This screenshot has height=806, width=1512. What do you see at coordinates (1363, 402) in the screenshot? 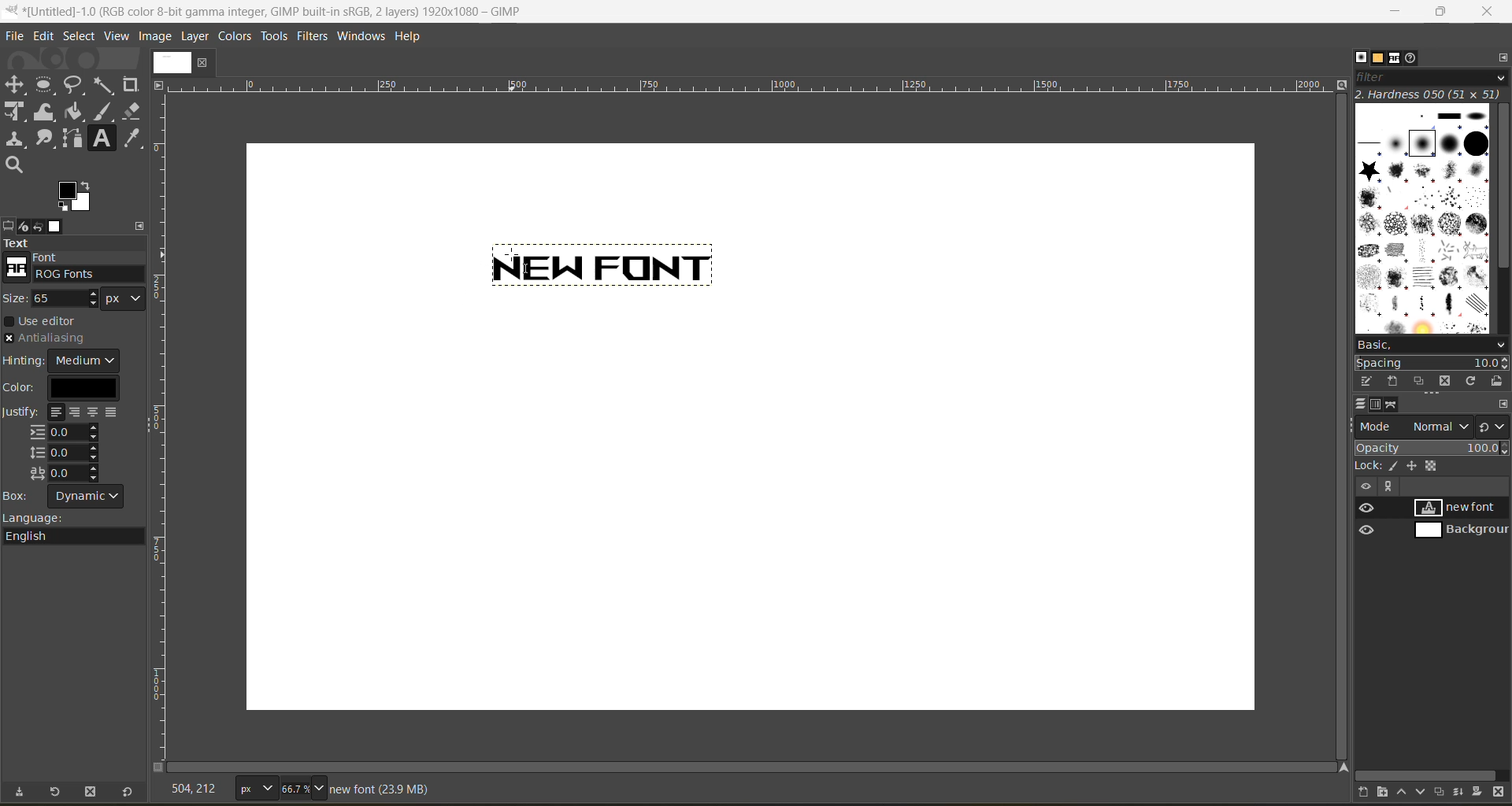
I see `layers` at bounding box center [1363, 402].